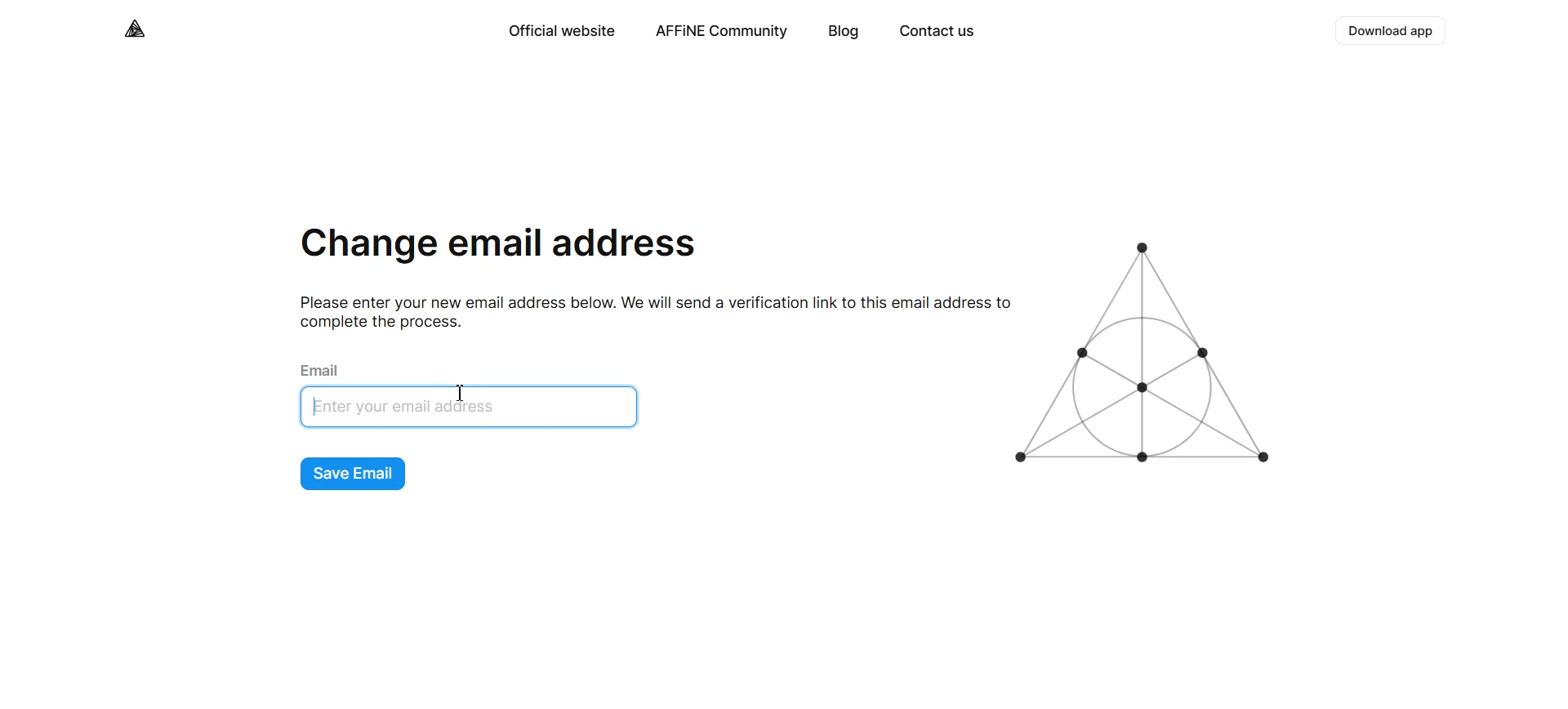 The image size is (1568, 709). I want to click on Text cursor, so click(319, 406).